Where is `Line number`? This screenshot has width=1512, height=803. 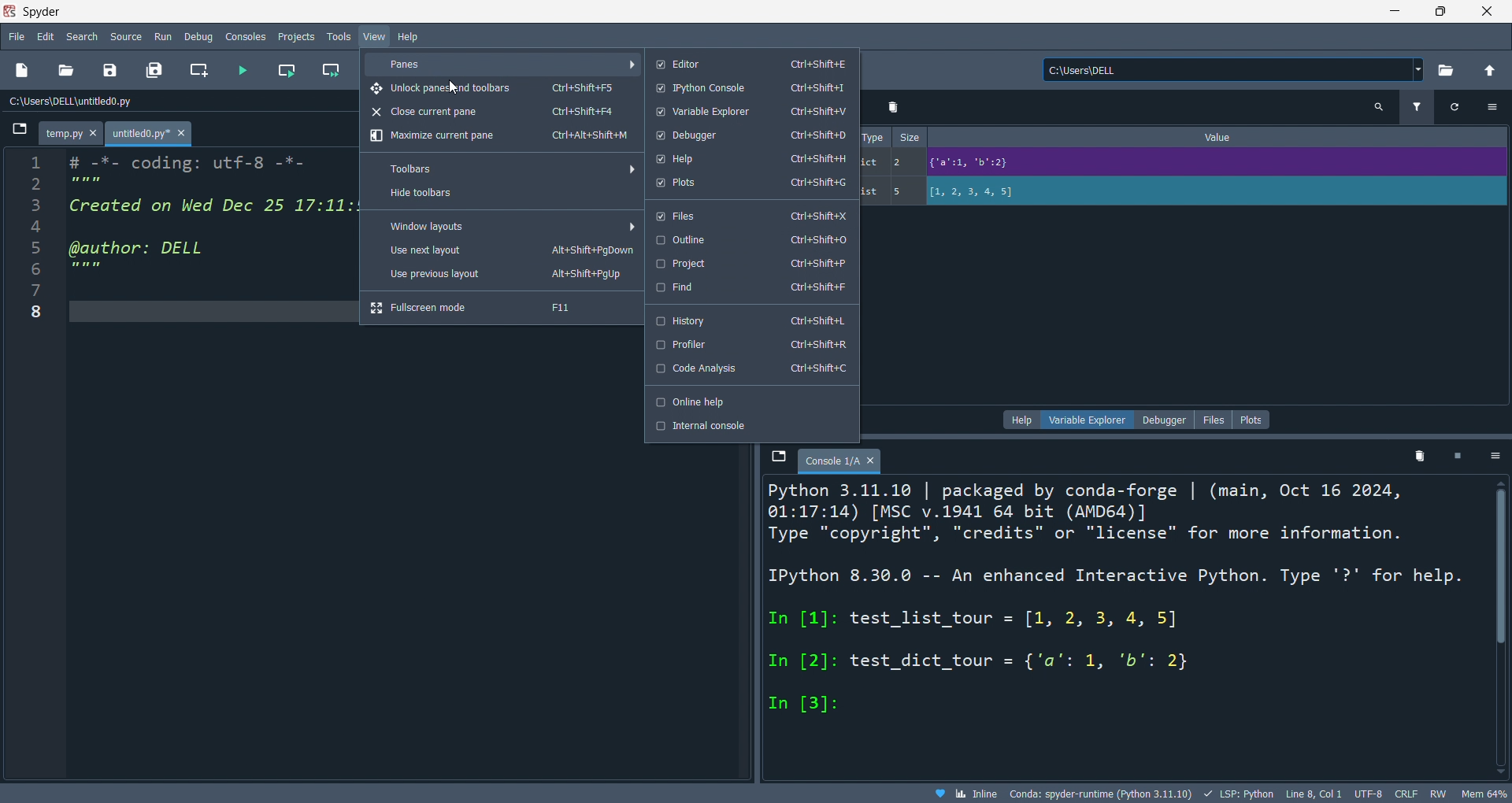
Line number is located at coordinates (35, 242).